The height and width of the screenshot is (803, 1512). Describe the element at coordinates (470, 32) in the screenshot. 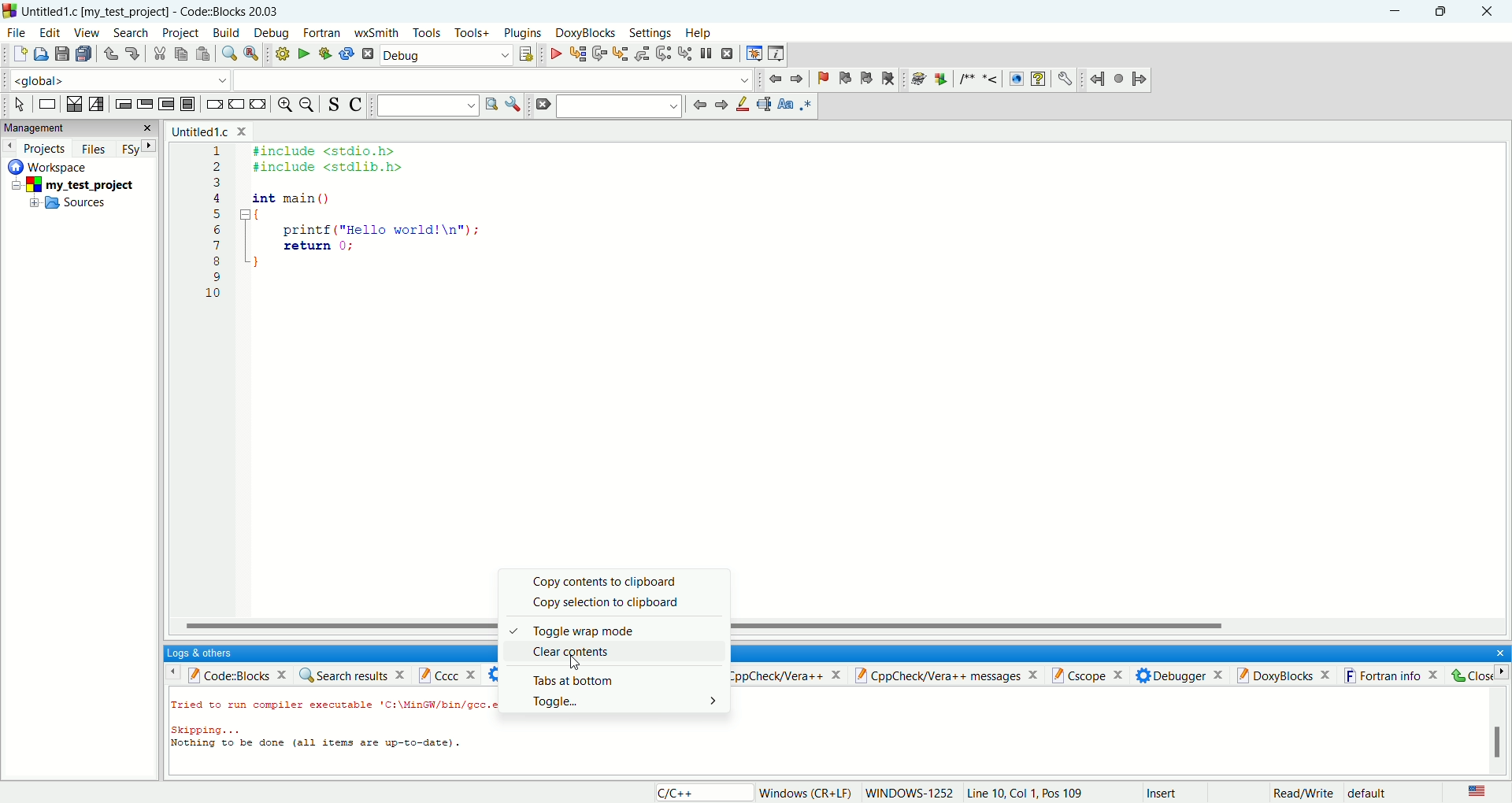

I see `tools+` at that location.